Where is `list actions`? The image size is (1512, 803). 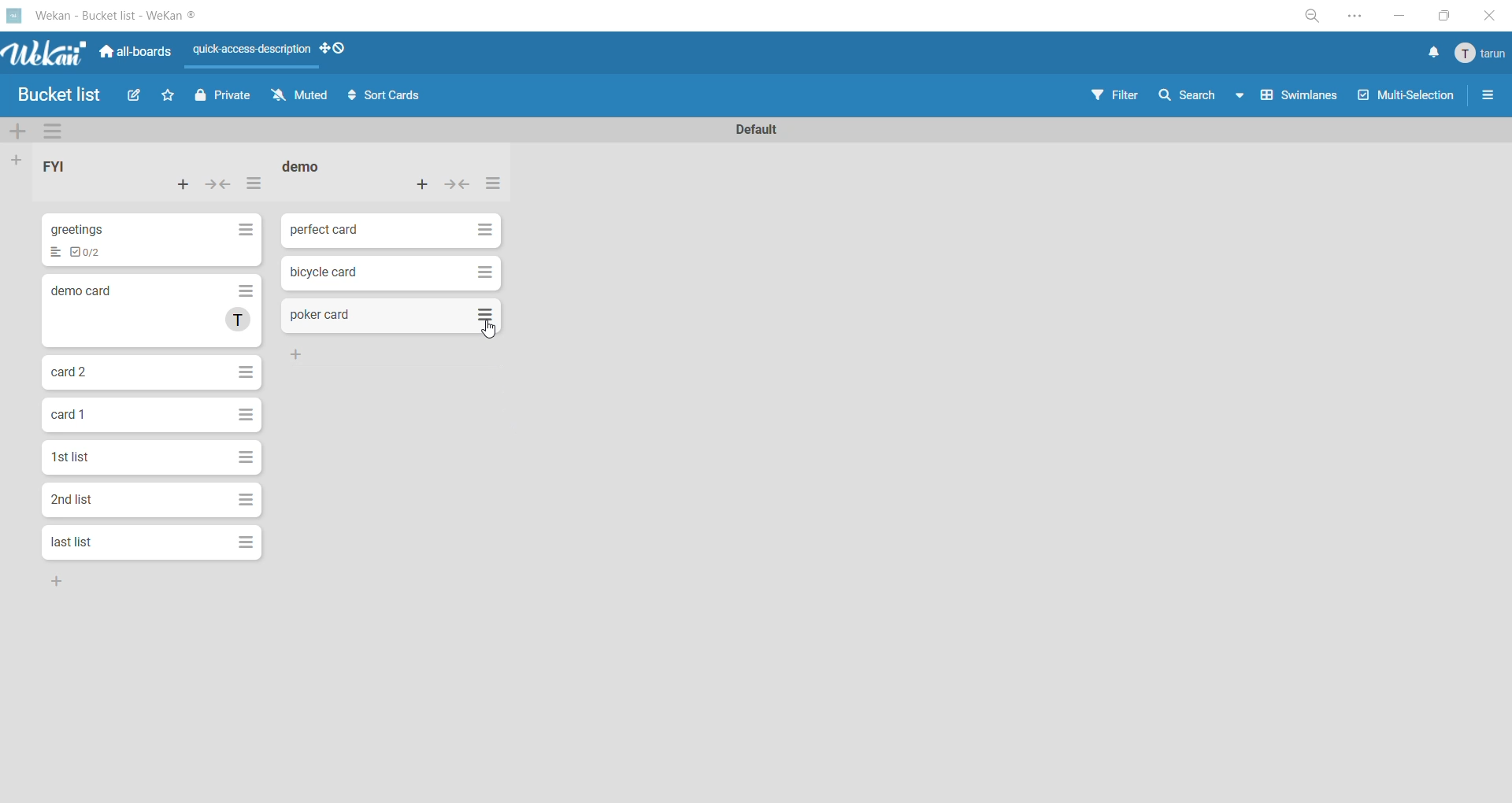
list actions is located at coordinates (491, 185).